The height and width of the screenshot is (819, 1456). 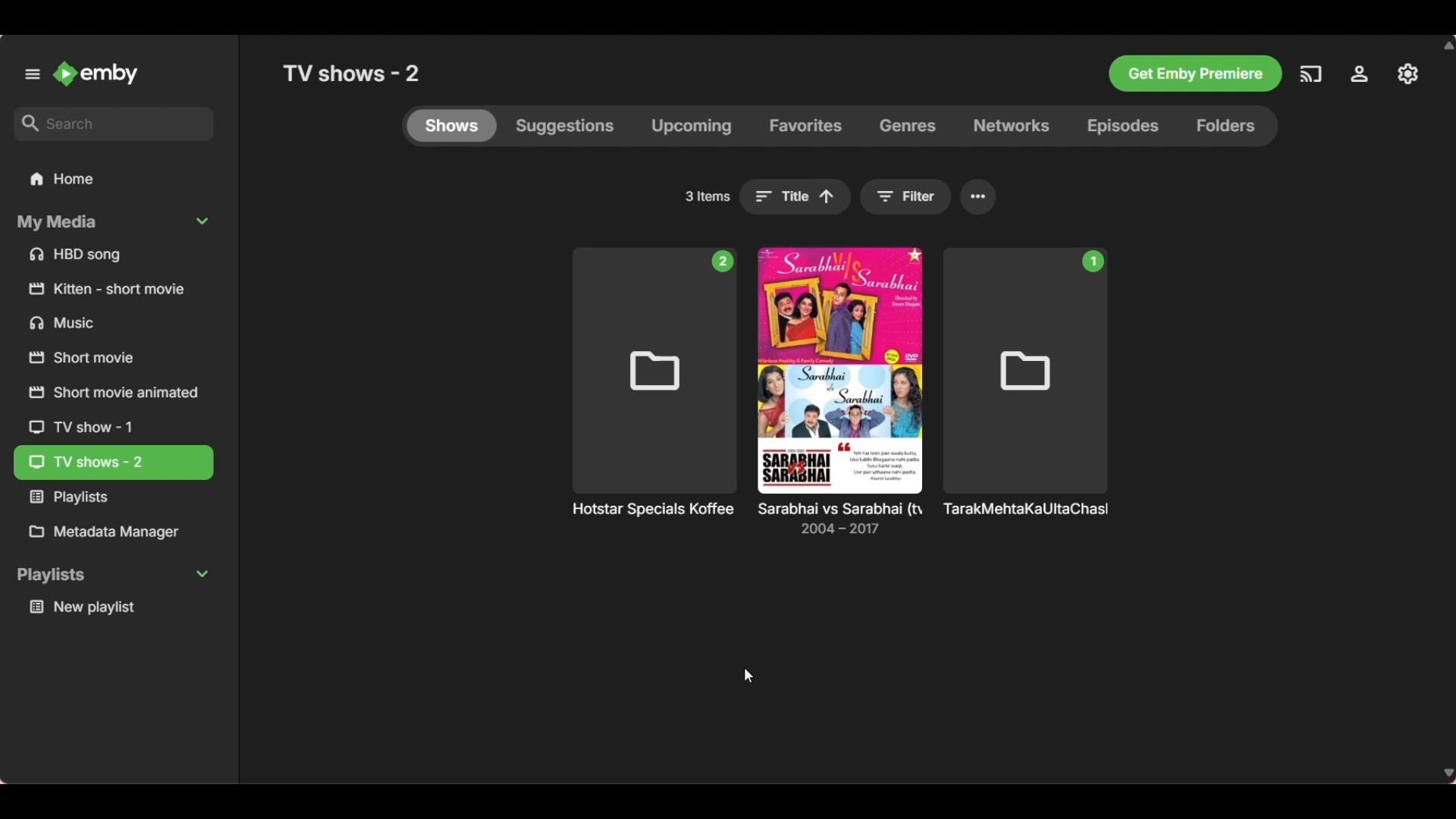 What do you see at coordinates (1093, 262) in the screenshot?
I see `Number of files in folder` at bounding box center [1093, 262].